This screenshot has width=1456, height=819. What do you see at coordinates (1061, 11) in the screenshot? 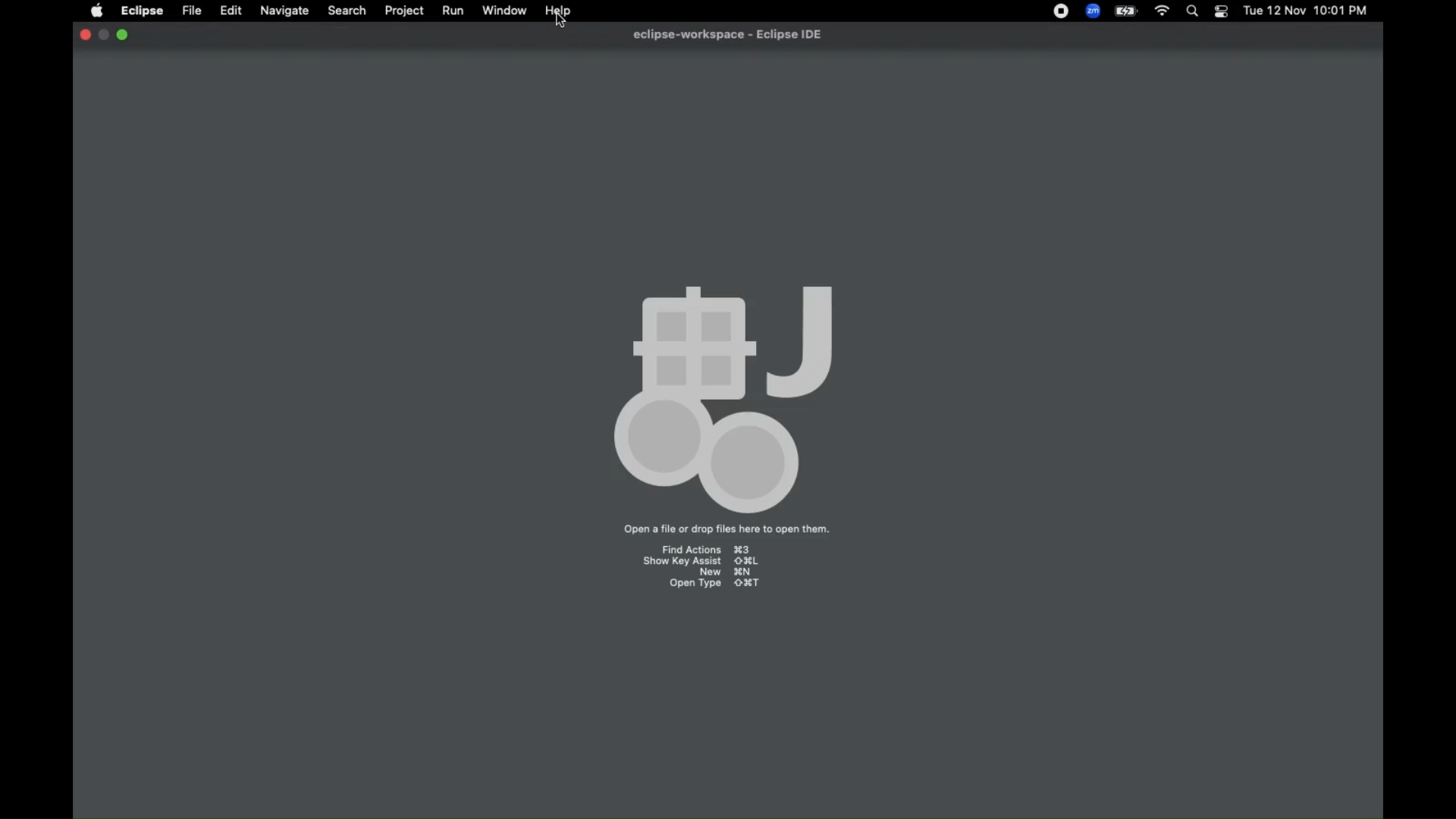
I see `Recording` at bounding box center [1061, 11].